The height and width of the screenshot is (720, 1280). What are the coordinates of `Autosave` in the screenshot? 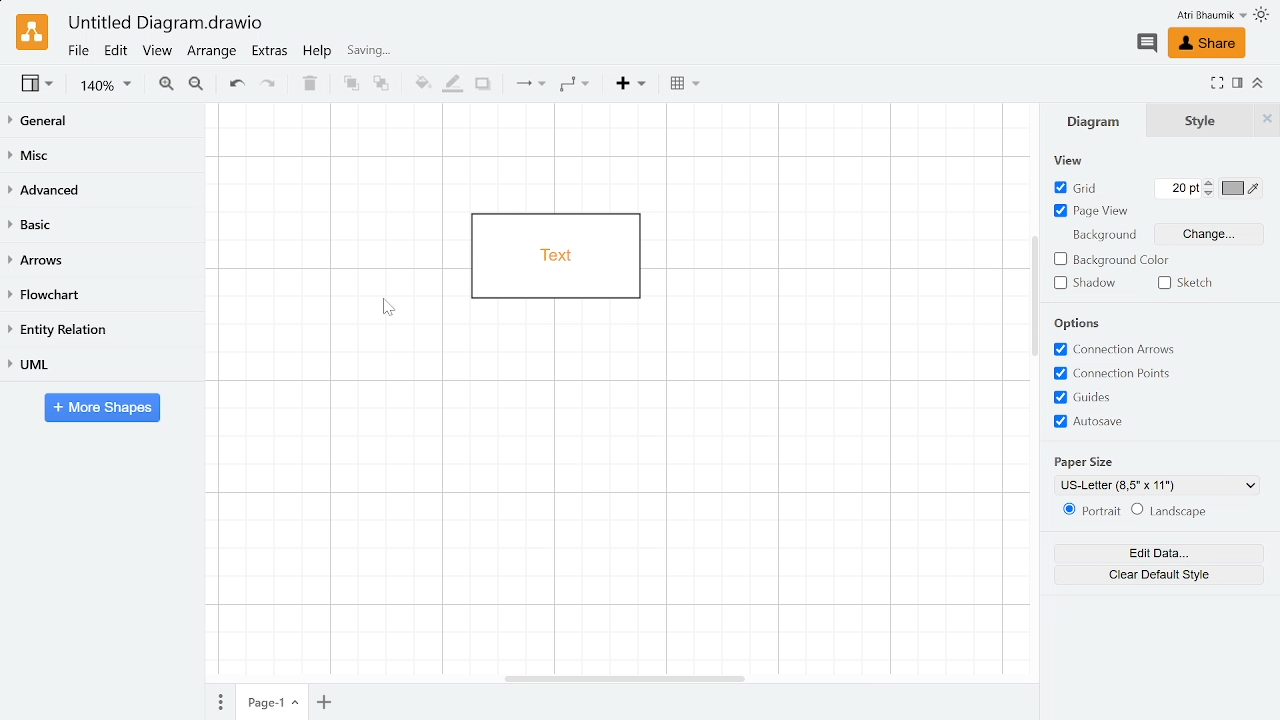 It's located at (1121, 423).